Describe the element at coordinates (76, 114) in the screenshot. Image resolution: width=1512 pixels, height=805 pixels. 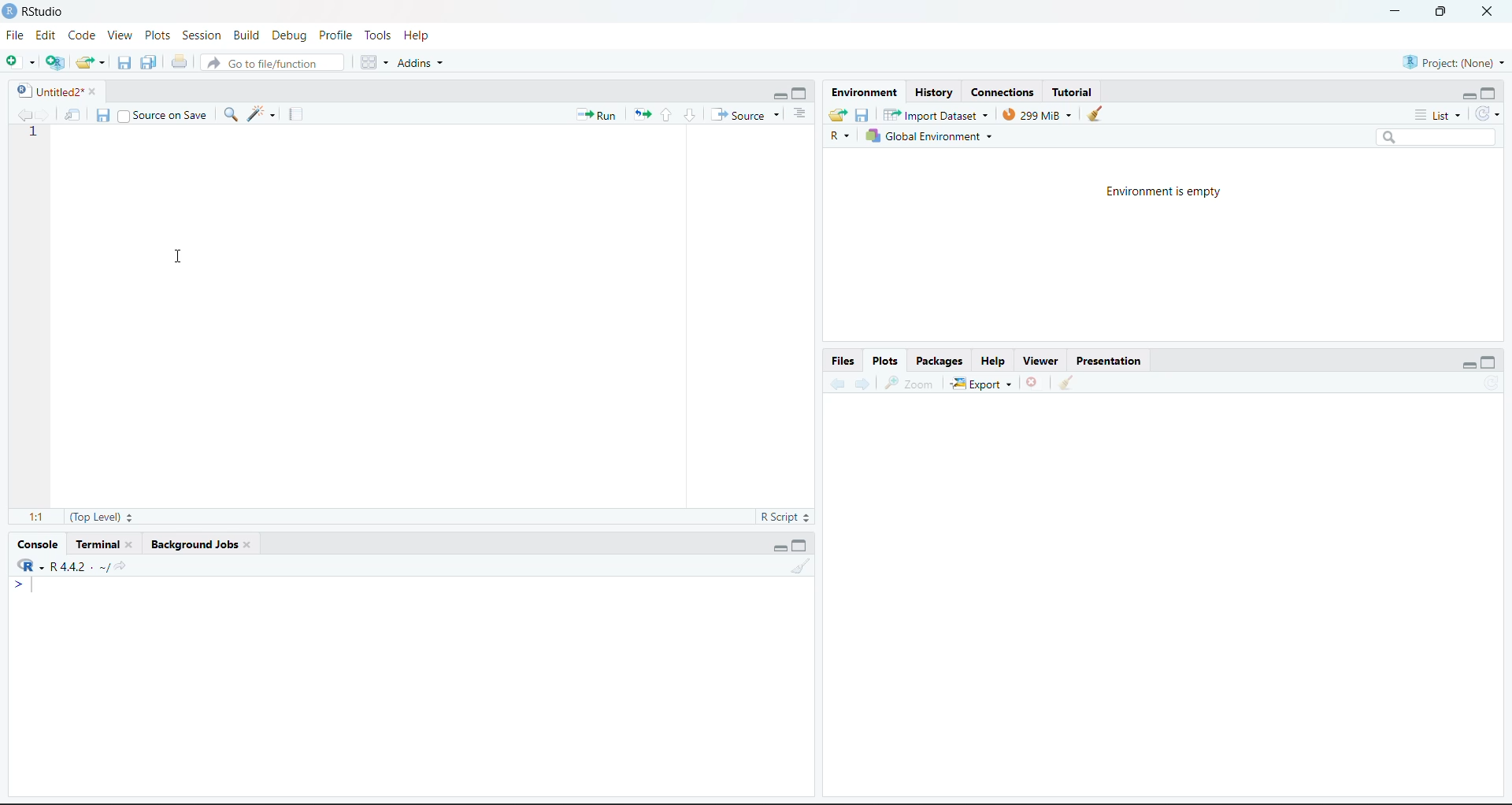
I see `show in new window` at that location.